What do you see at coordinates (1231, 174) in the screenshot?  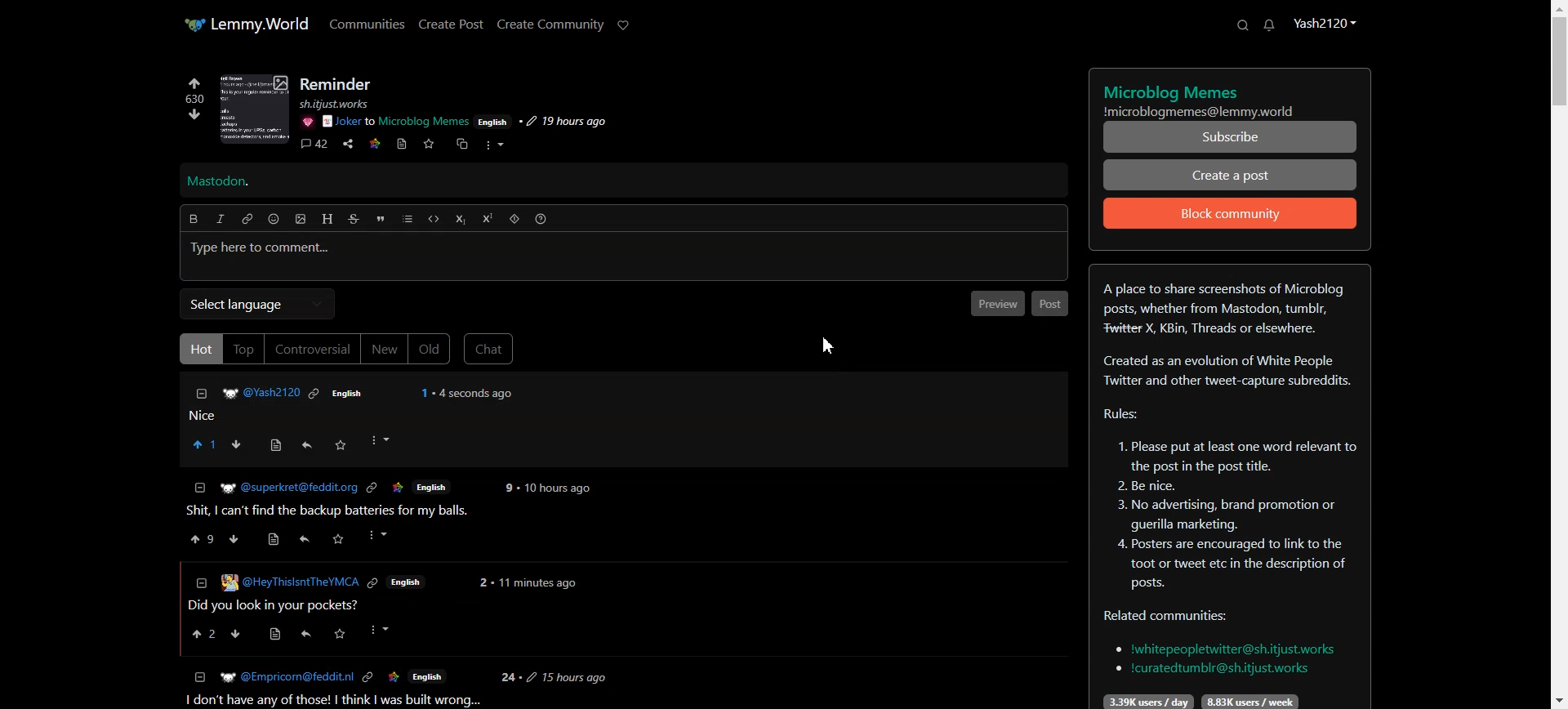 I see `Create a post` at bounding box center [1231, 174].